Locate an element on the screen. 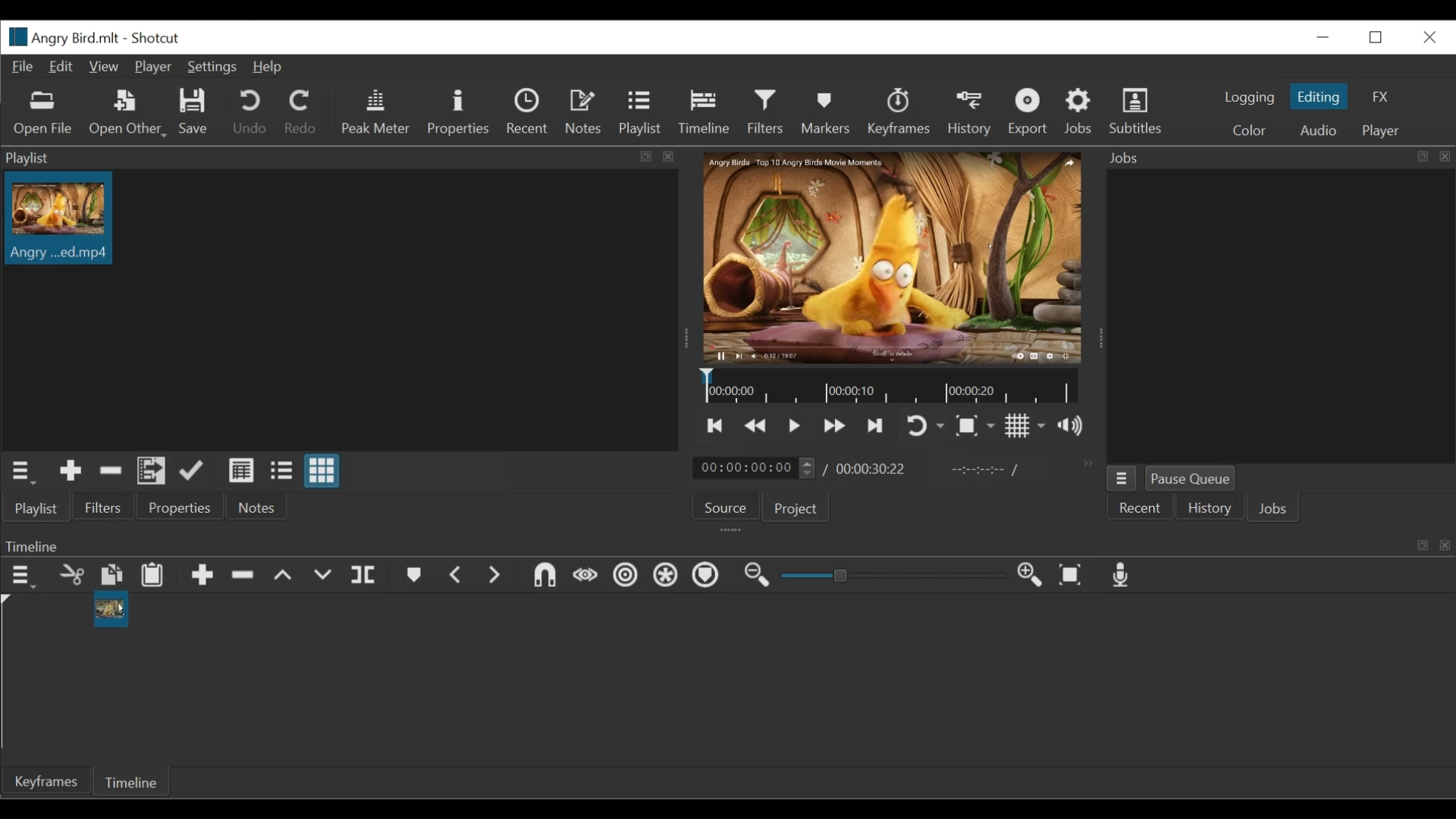 Image resolution: width=1456 pixels, height=819 pixels. Filters is located at coordinates (765, 112).